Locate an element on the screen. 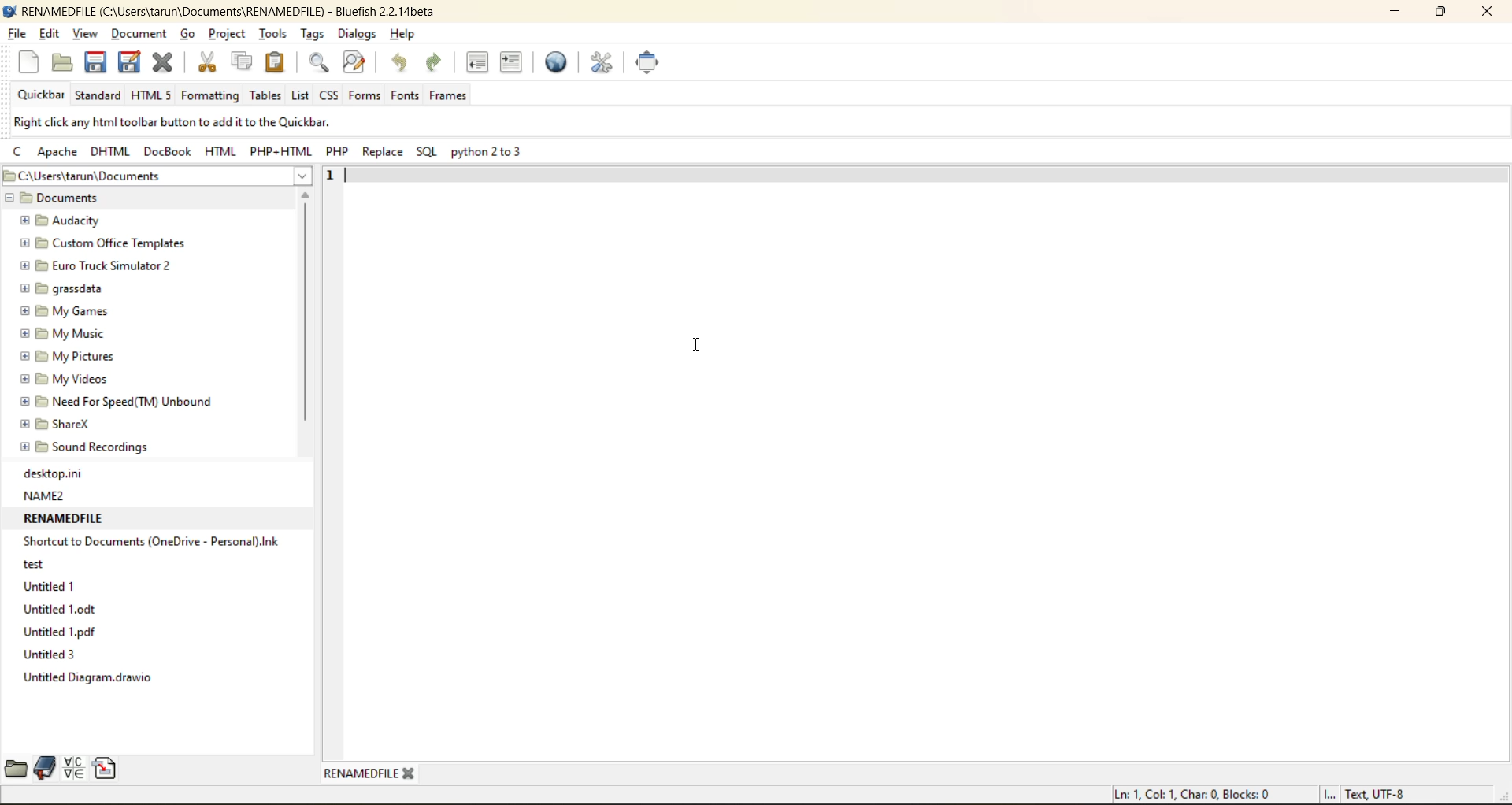 The width and height of the screenshot is (1512, 805). php is located at coordinates (341, 154).